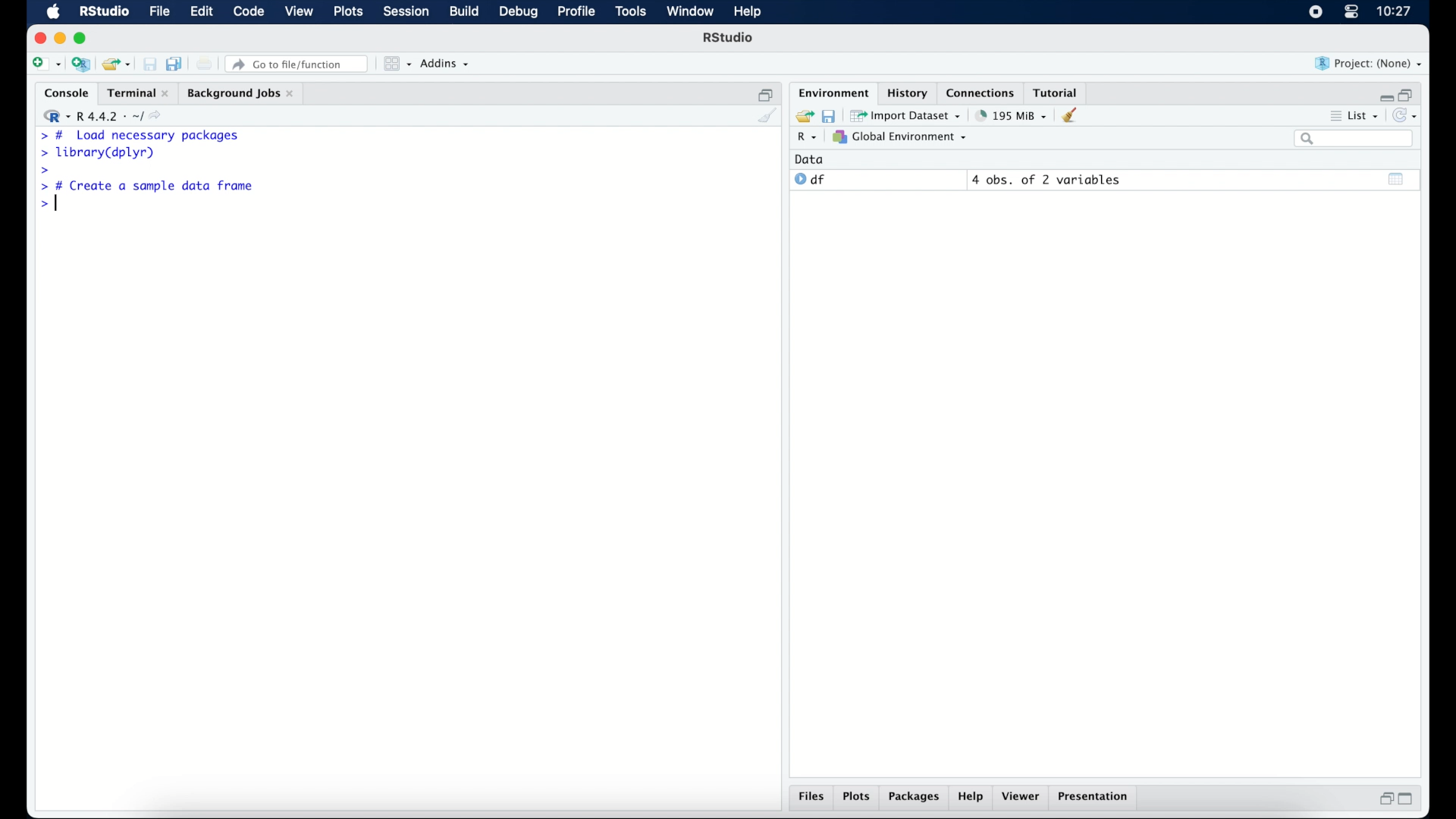  What do you see at coordinates (971, 799) in the screenshot?
I see `help` at bounding box center [971, 799].